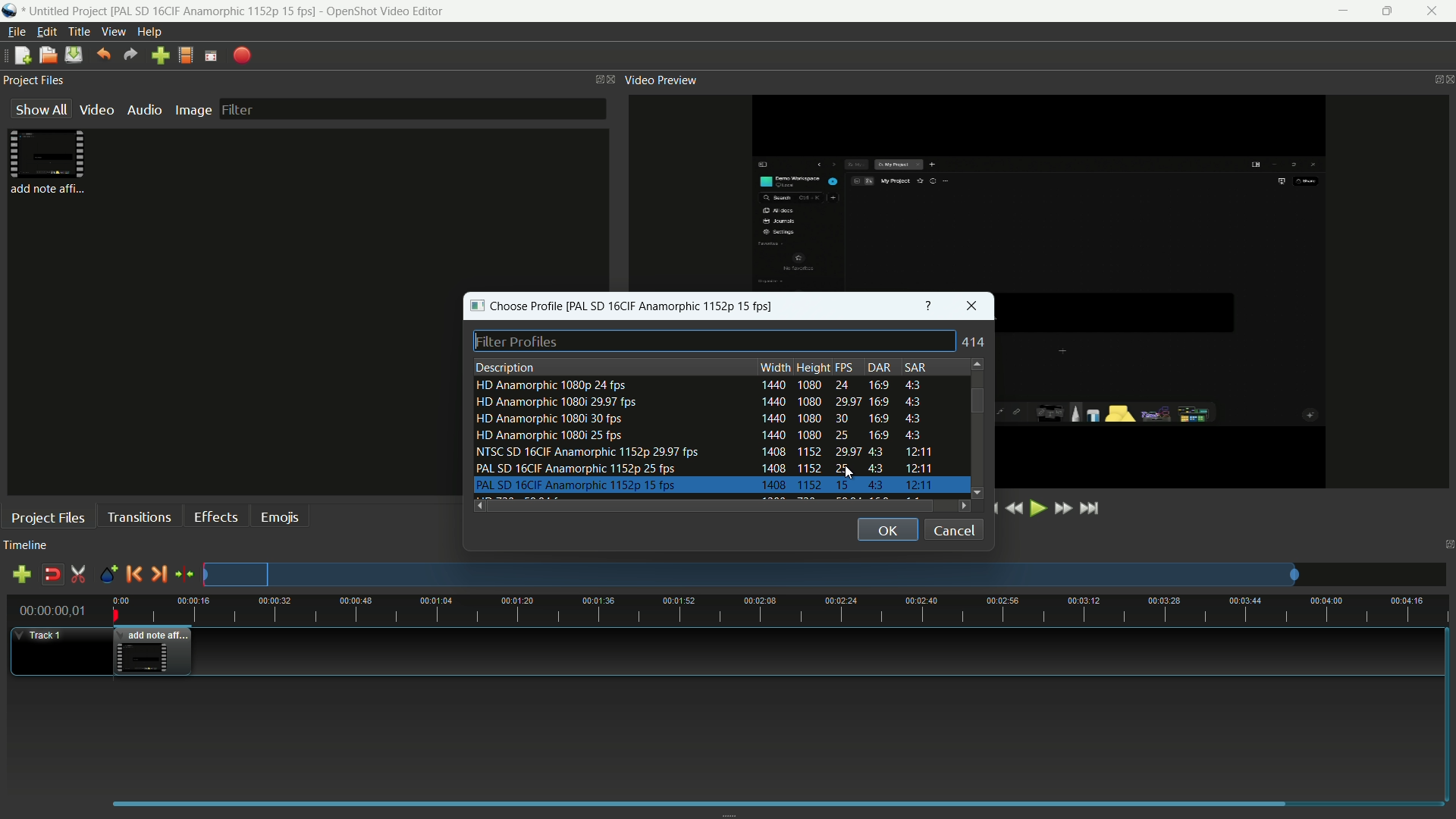 This screenshot has width=1456, height=819. What do you see at coordinates (879, 367) in the screenshot?
I see `dar` at bounding box center [879, 367].